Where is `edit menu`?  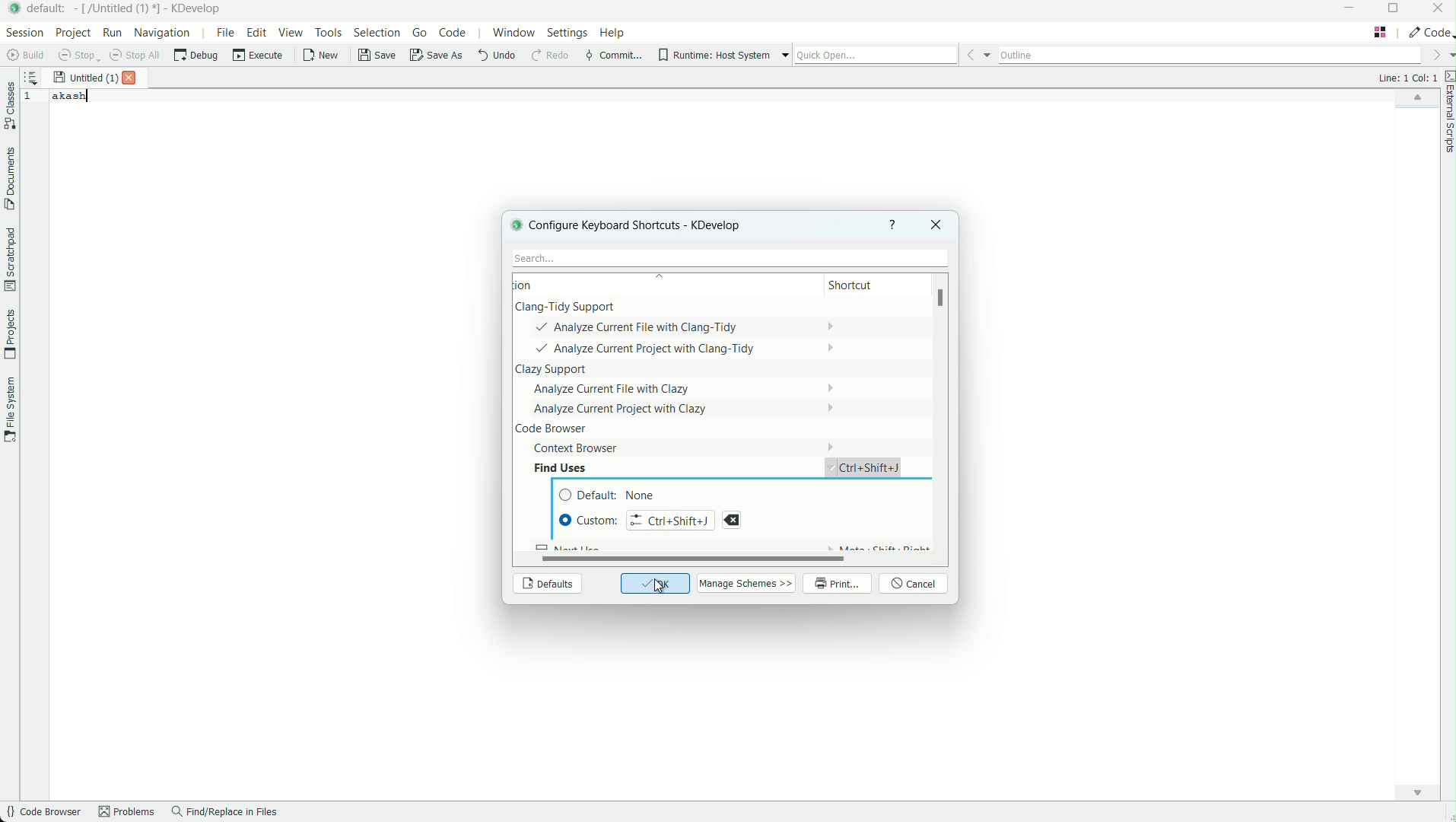 edit menu is located at coordinates (257, 32).